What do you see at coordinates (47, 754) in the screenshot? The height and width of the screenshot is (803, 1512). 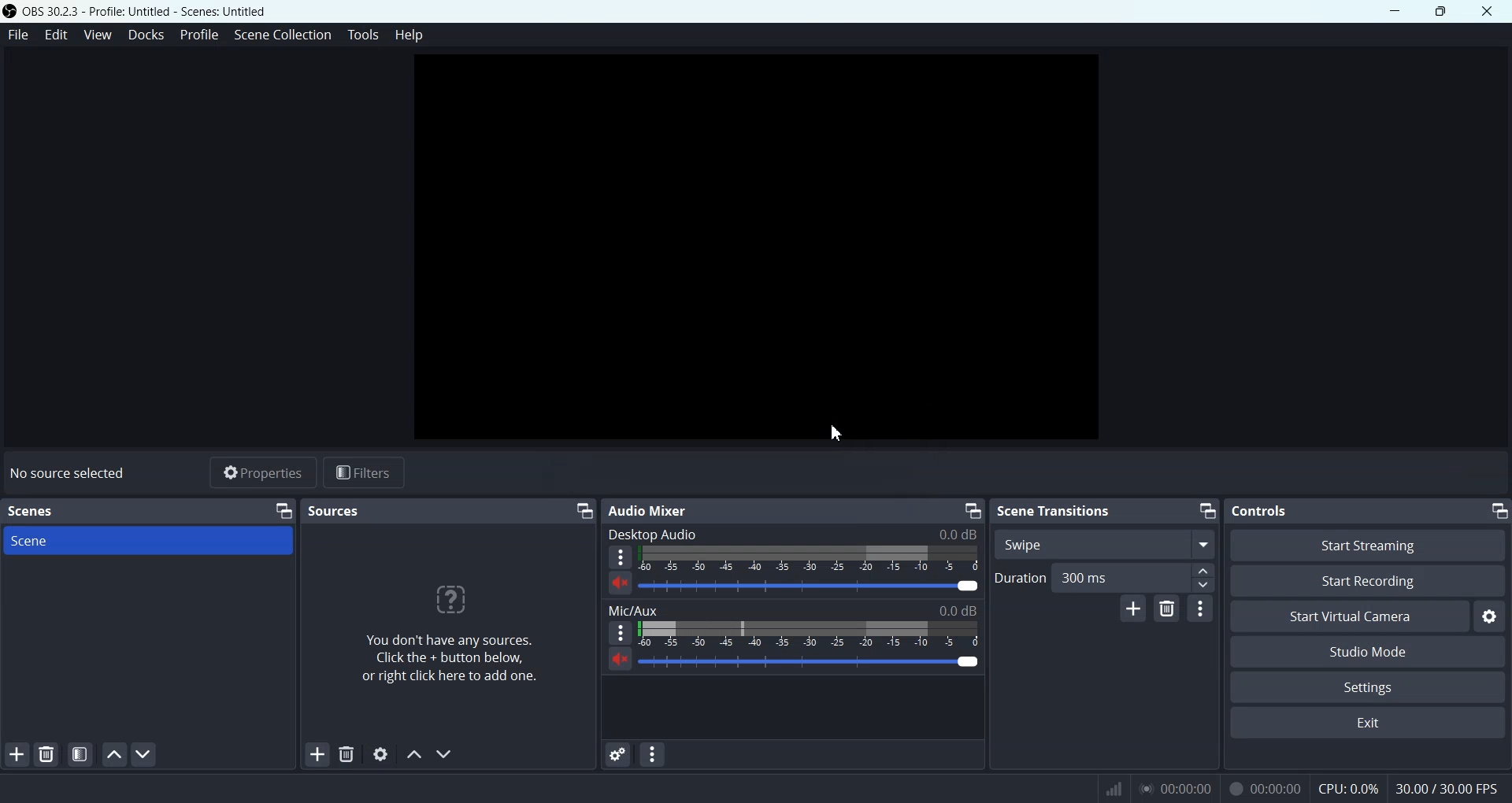 I see `Remove selected Scene` at bounding box center [47, 754].